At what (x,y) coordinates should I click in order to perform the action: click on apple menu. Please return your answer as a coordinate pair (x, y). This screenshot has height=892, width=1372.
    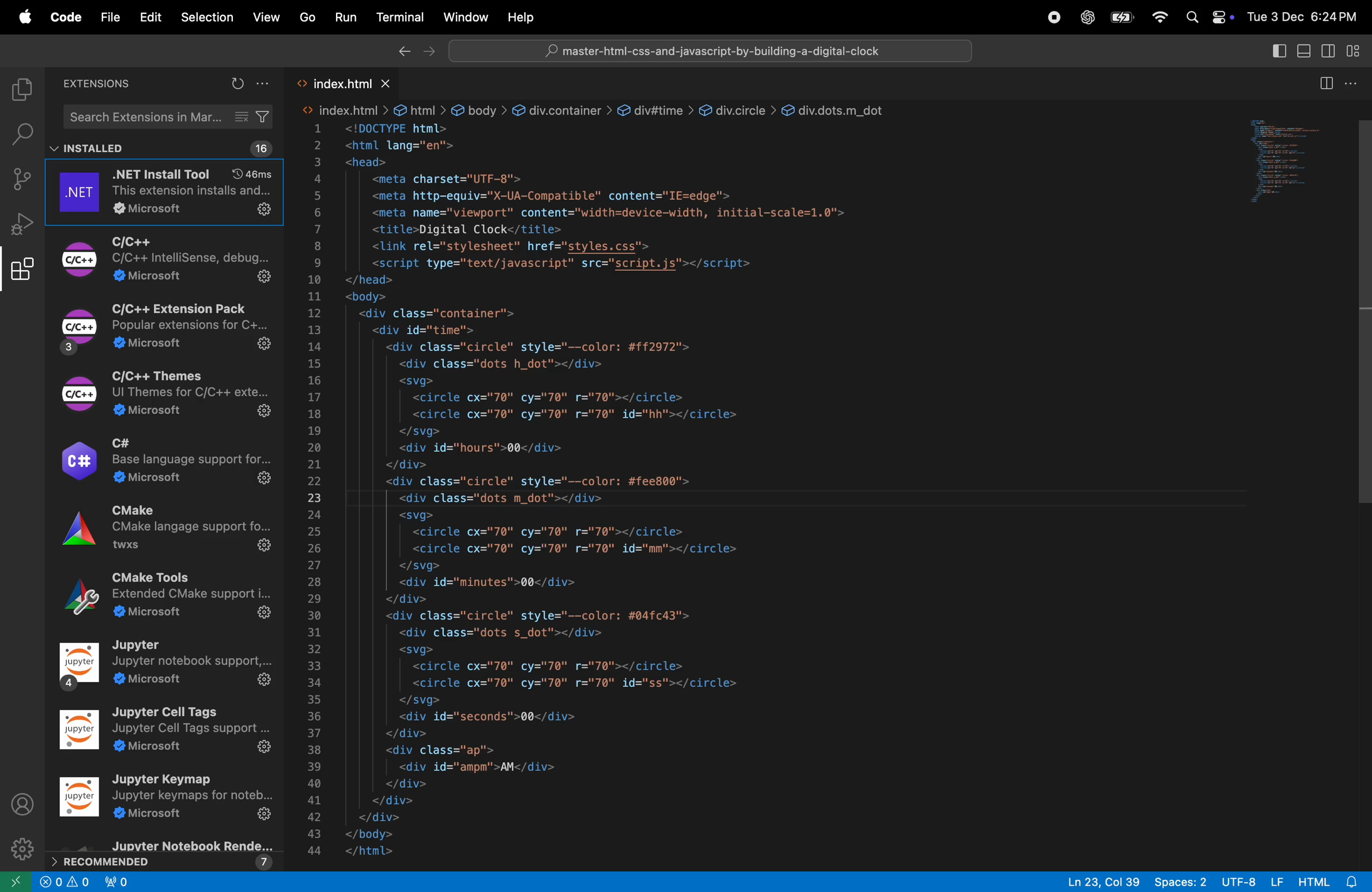
    Looking at the image, I should click on (24, 17).